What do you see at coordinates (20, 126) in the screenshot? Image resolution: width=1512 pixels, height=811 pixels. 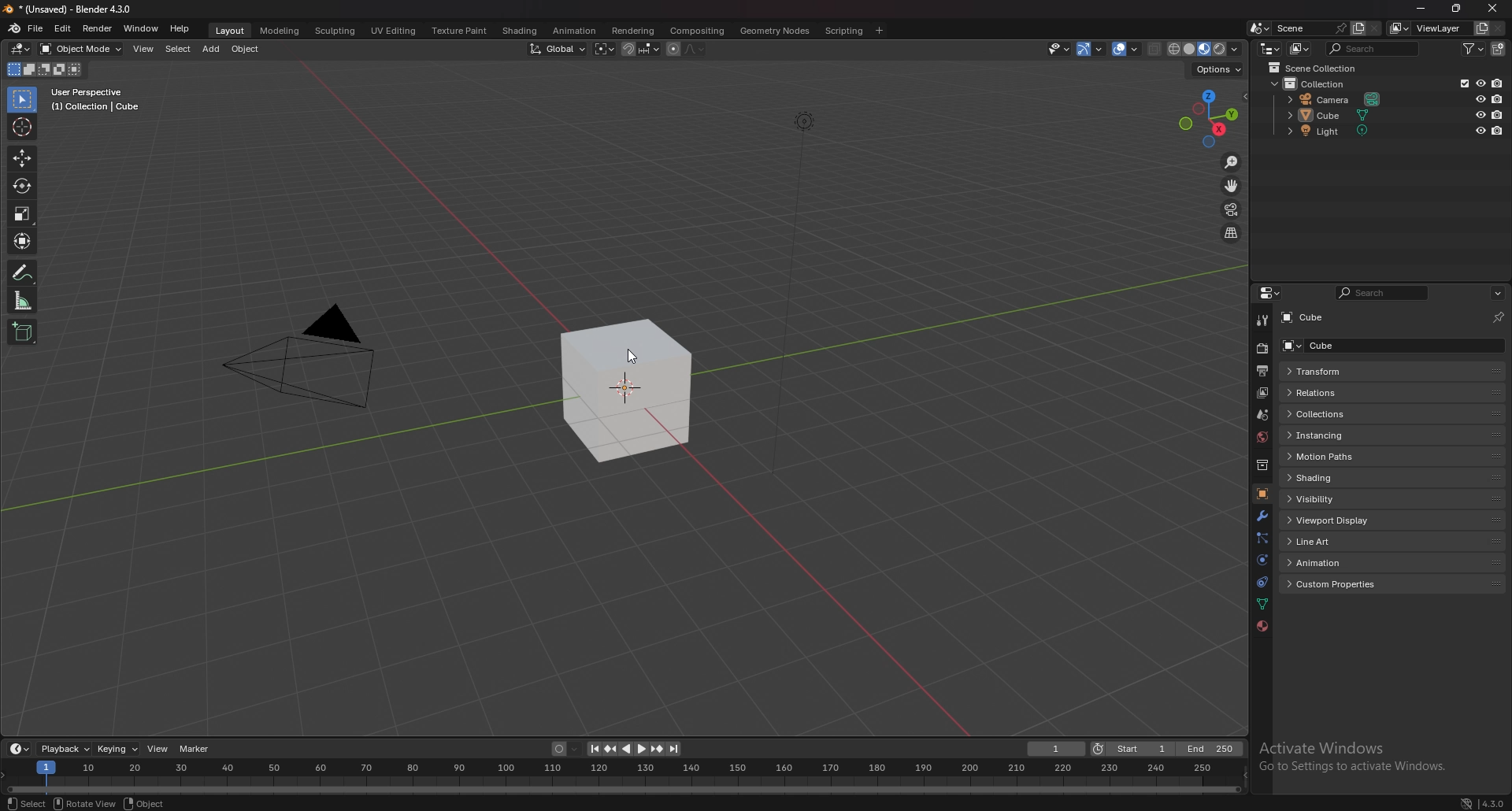 I see `cursor` at bounding box center [20, 126].